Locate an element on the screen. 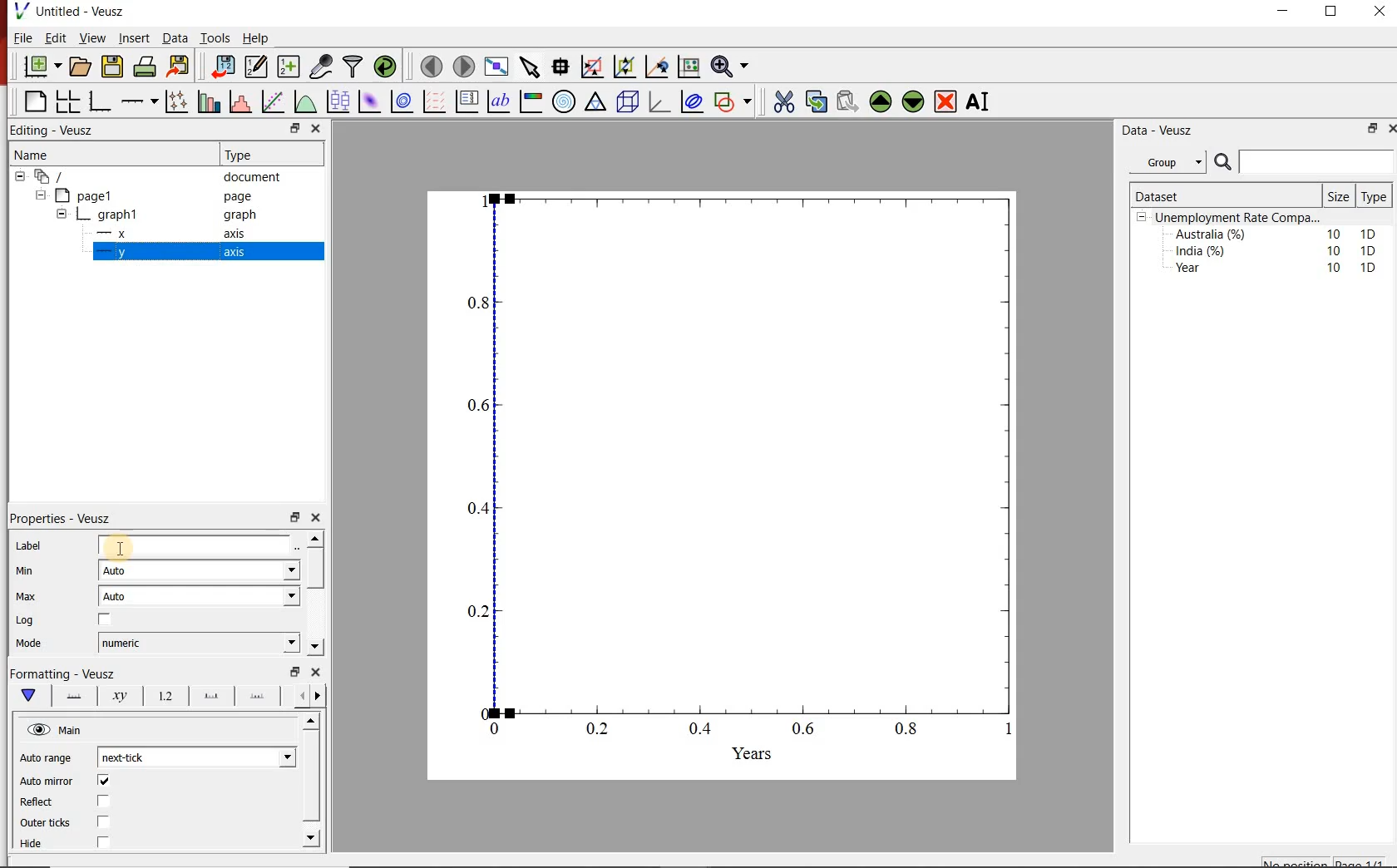  cursor is located at coordinates (127, 549).